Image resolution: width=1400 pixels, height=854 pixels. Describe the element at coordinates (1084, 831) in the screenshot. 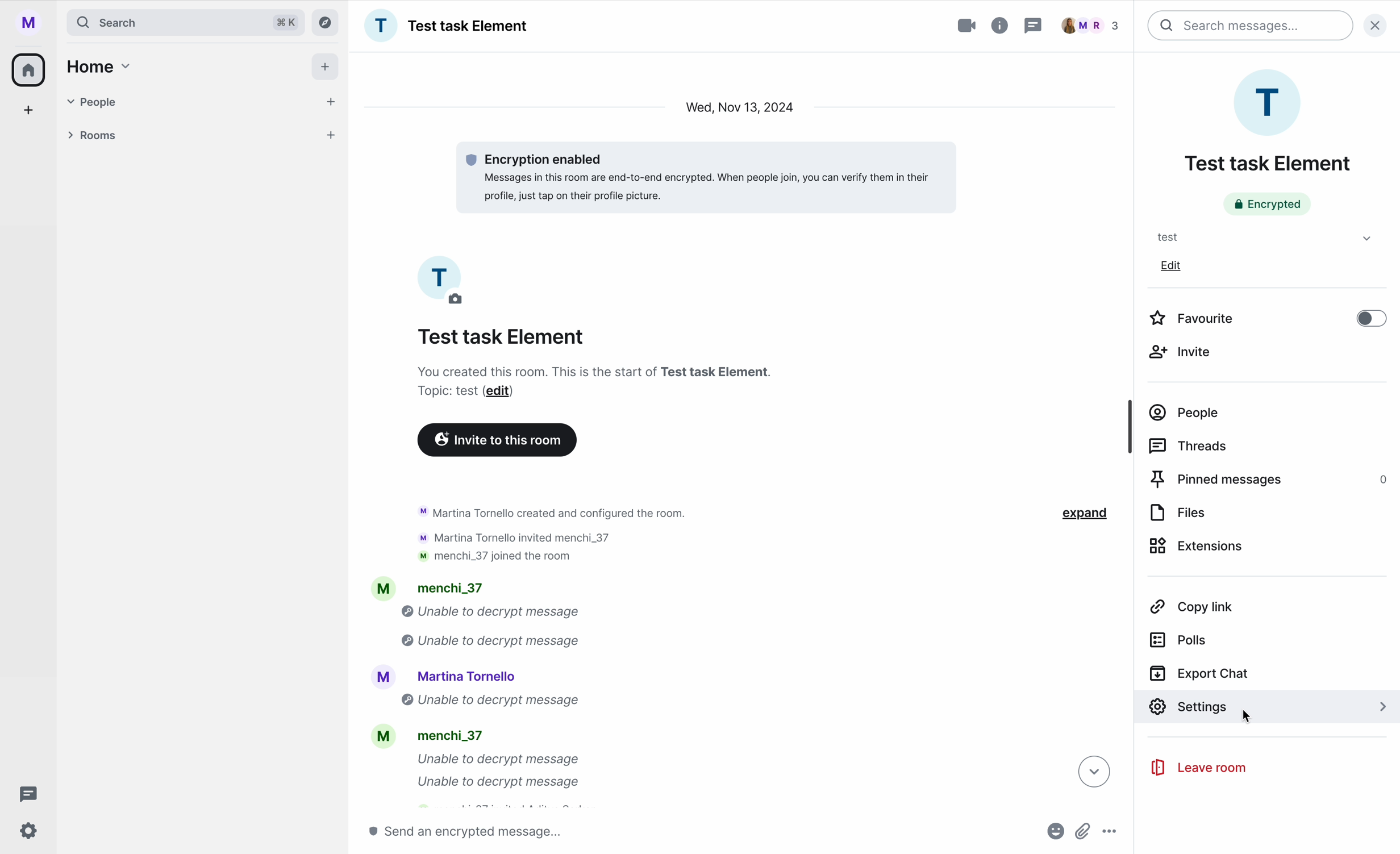

I see `attach file` at that location.